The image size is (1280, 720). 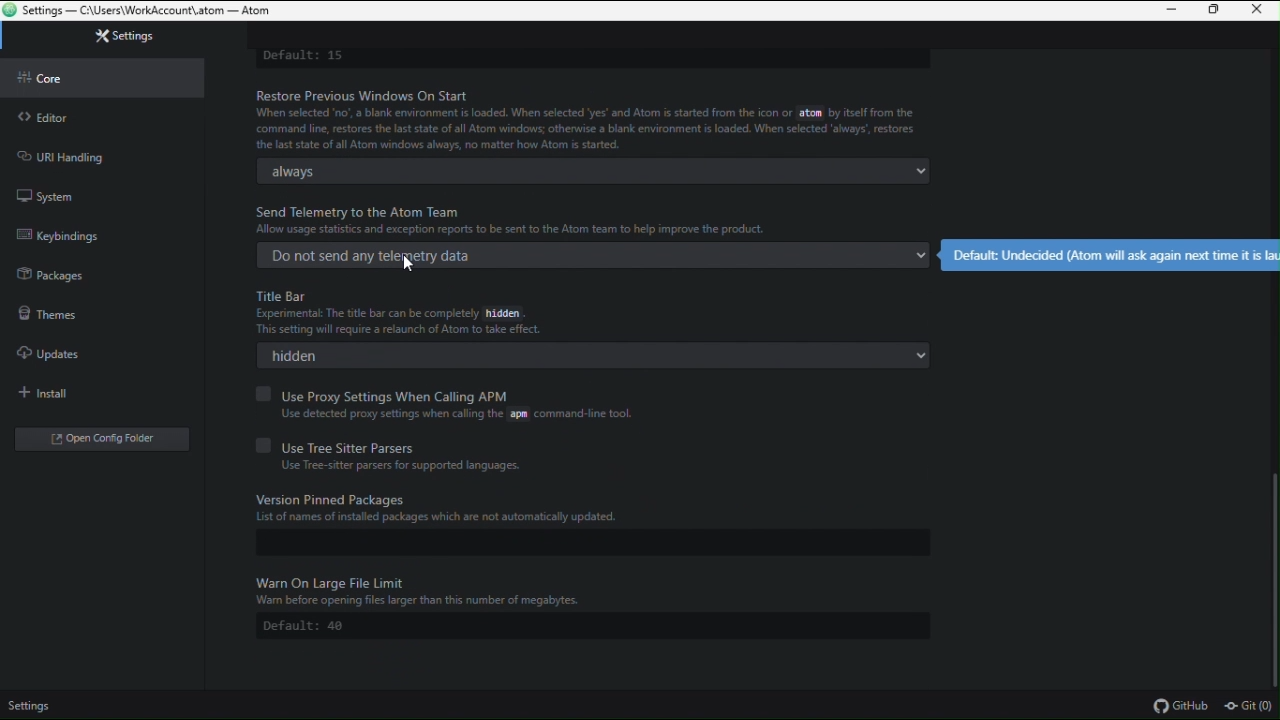 What do you see at coordinates (1250, 707) in the screenshot?
I see `git` at bounding box center [1250, 707].